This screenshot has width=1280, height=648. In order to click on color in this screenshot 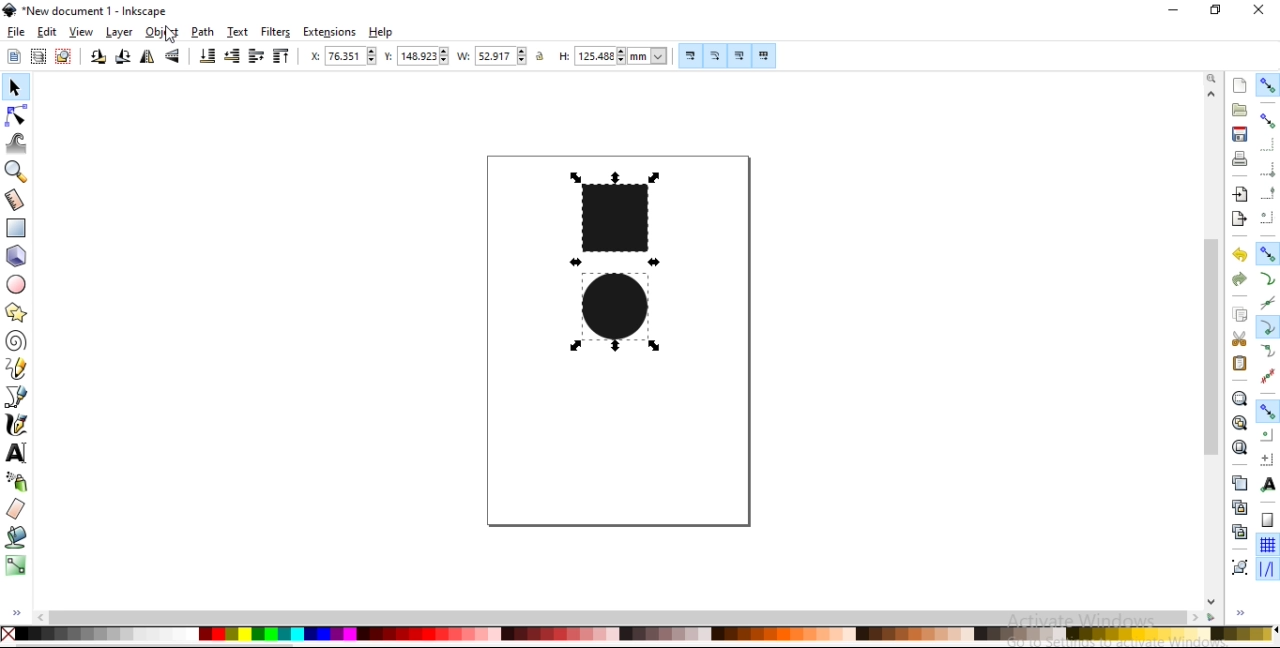, I will do `click(639, 634)`.